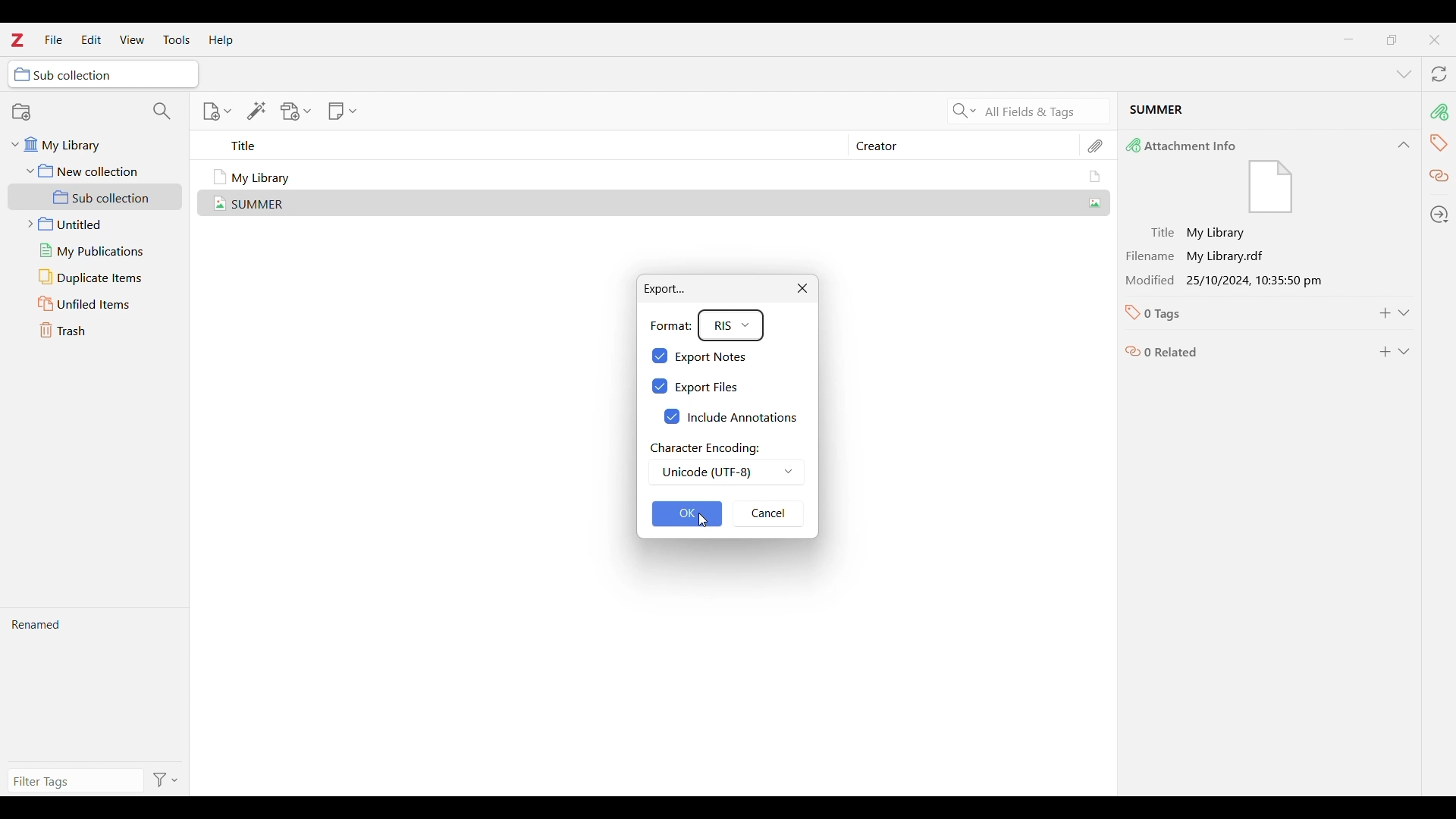 The image size is (1456, 819). What do you see at coordinates (1392, 39) in the screenshot?
I see `maximize` at bounding box center [1392, 39].